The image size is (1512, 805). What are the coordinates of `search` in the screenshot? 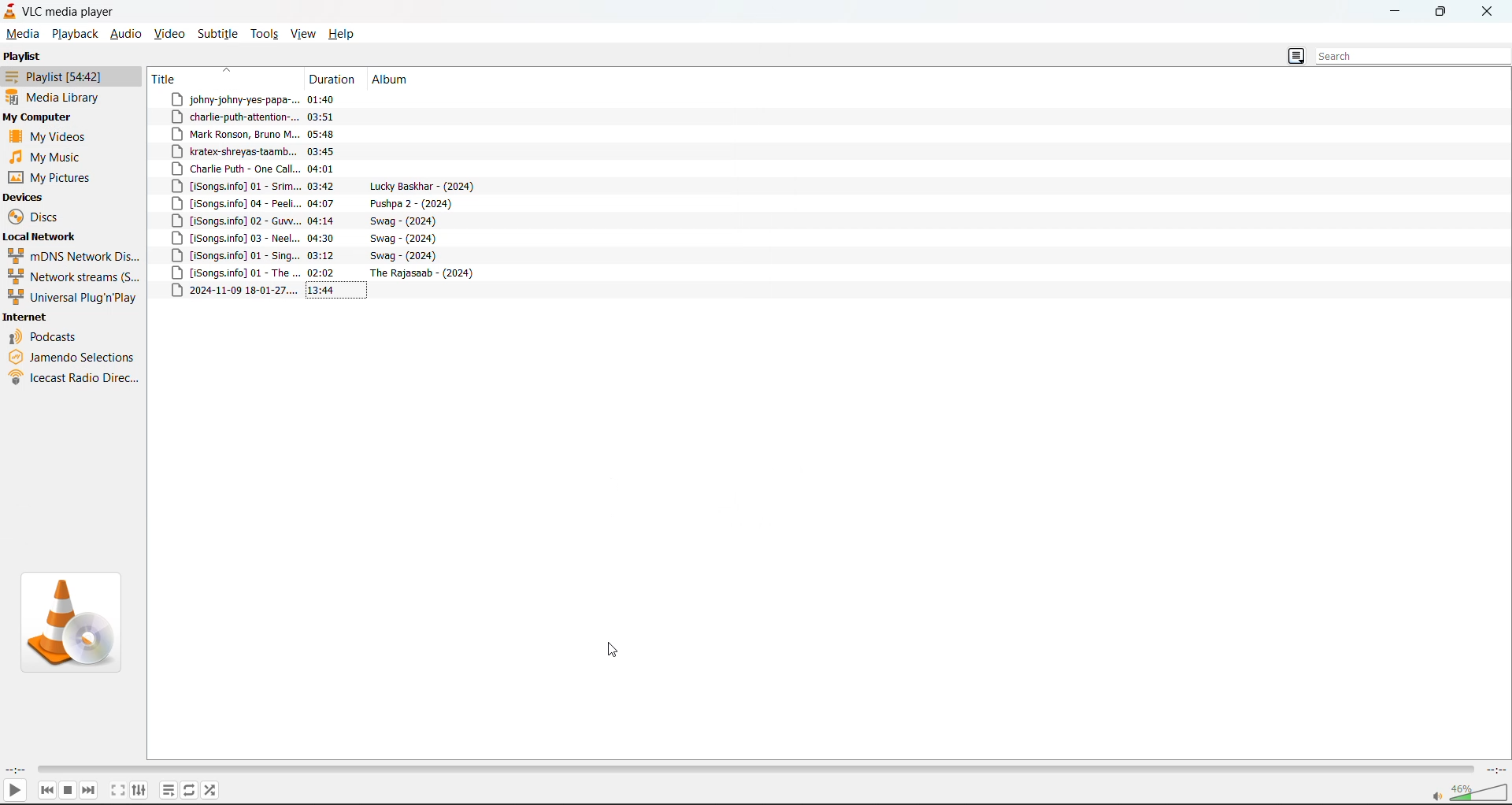 It's located at (1413, 57).